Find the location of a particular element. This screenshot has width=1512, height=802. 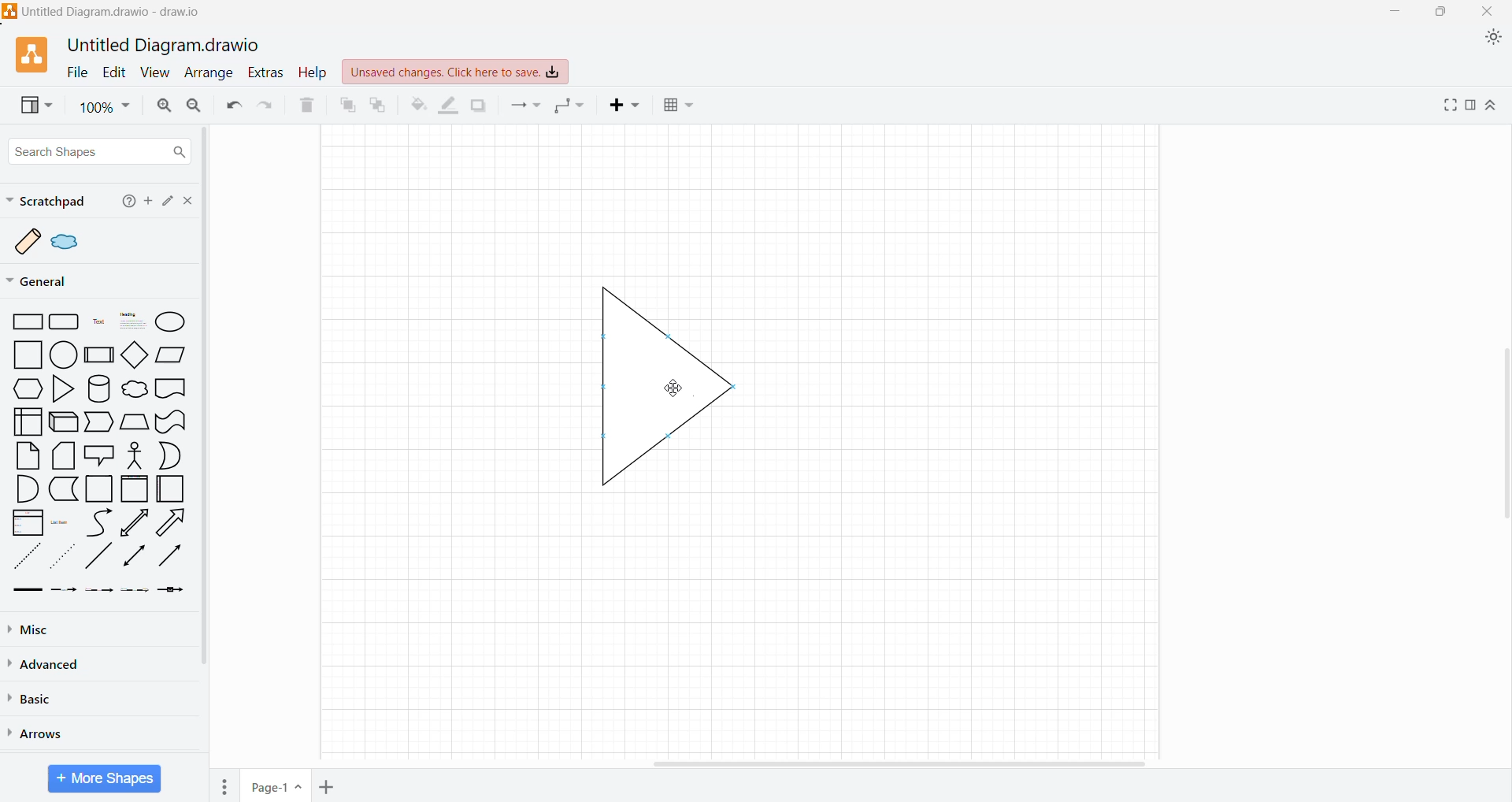

Delete is located at coordinates (305, 106).